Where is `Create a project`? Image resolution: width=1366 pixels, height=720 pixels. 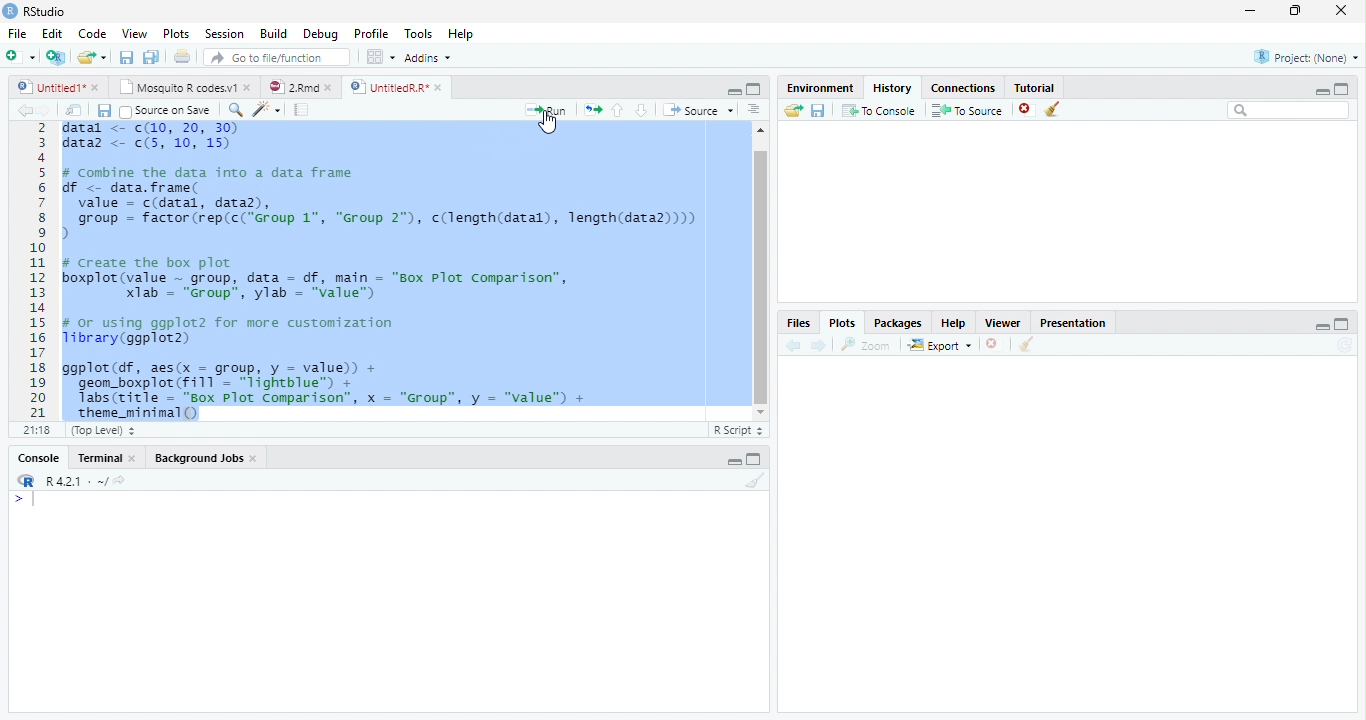
Create a project is located at coordinates (57, 56).